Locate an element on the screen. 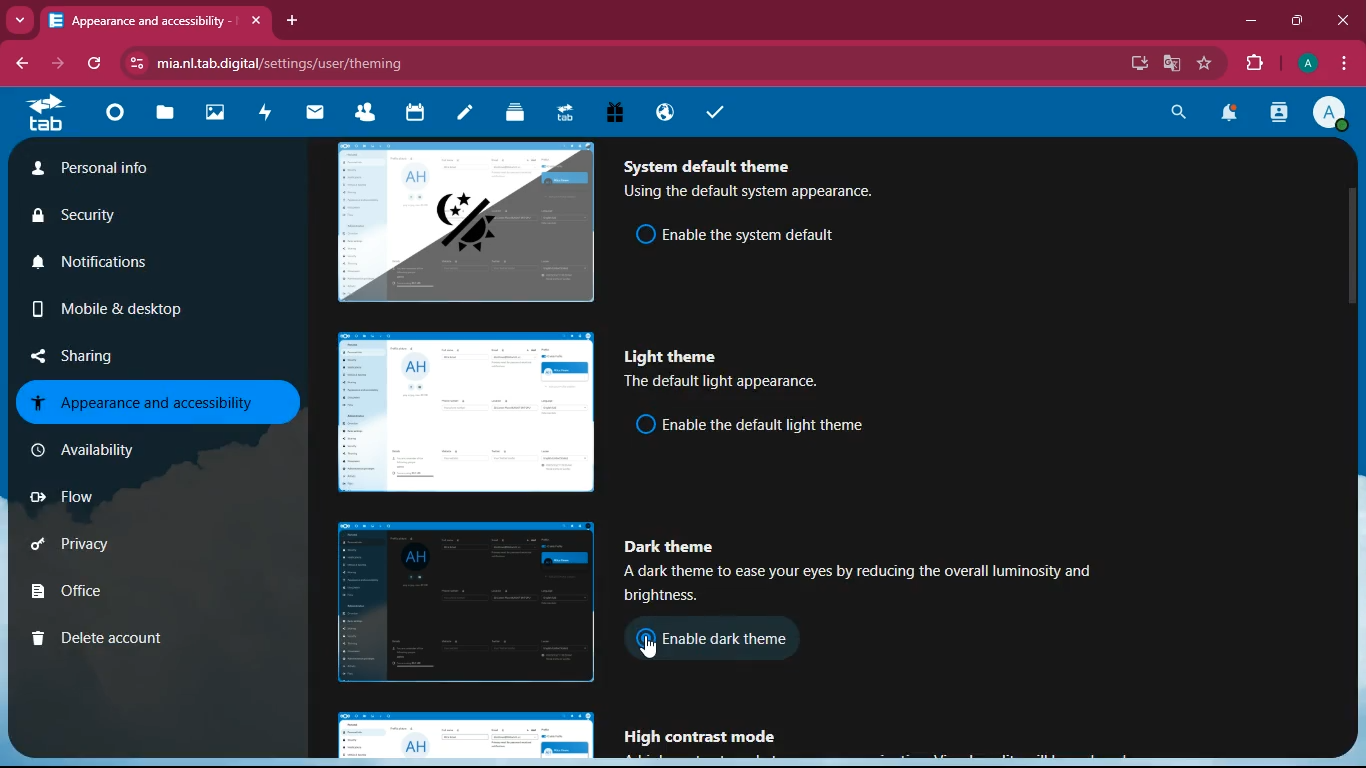  notifications is located at coordinates (126, 270).